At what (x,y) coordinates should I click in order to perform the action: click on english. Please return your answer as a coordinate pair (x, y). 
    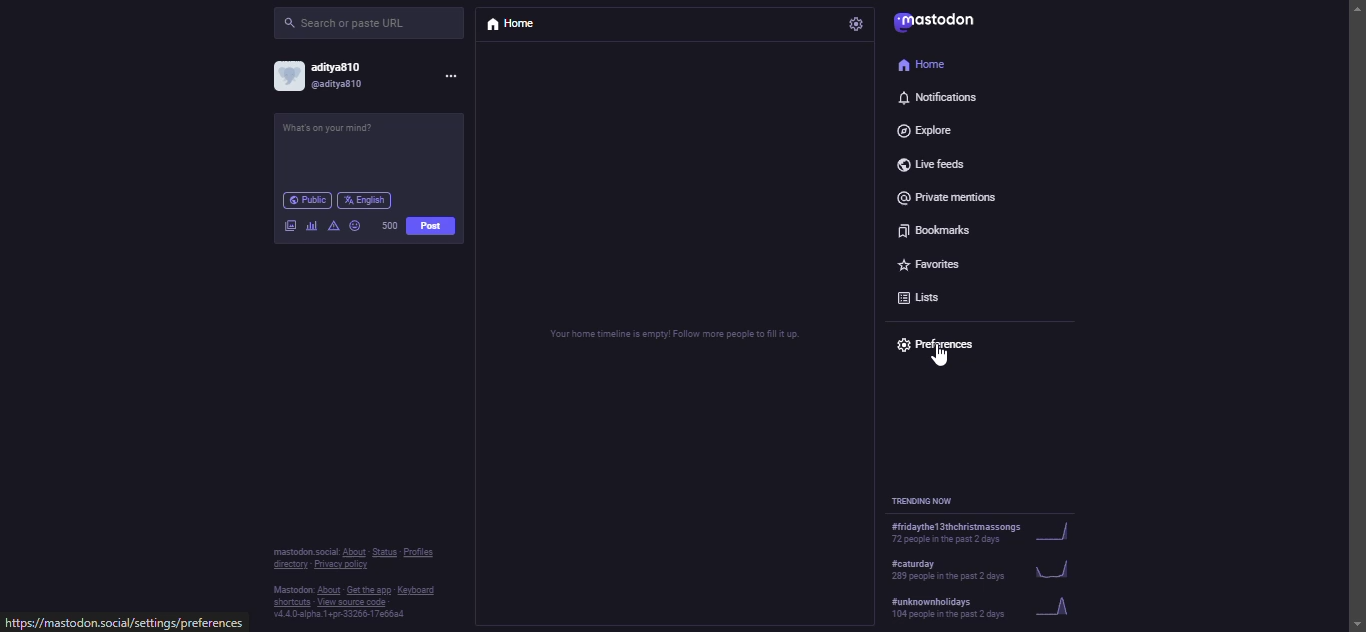
    Looking at the image, I should click on (369, 200).